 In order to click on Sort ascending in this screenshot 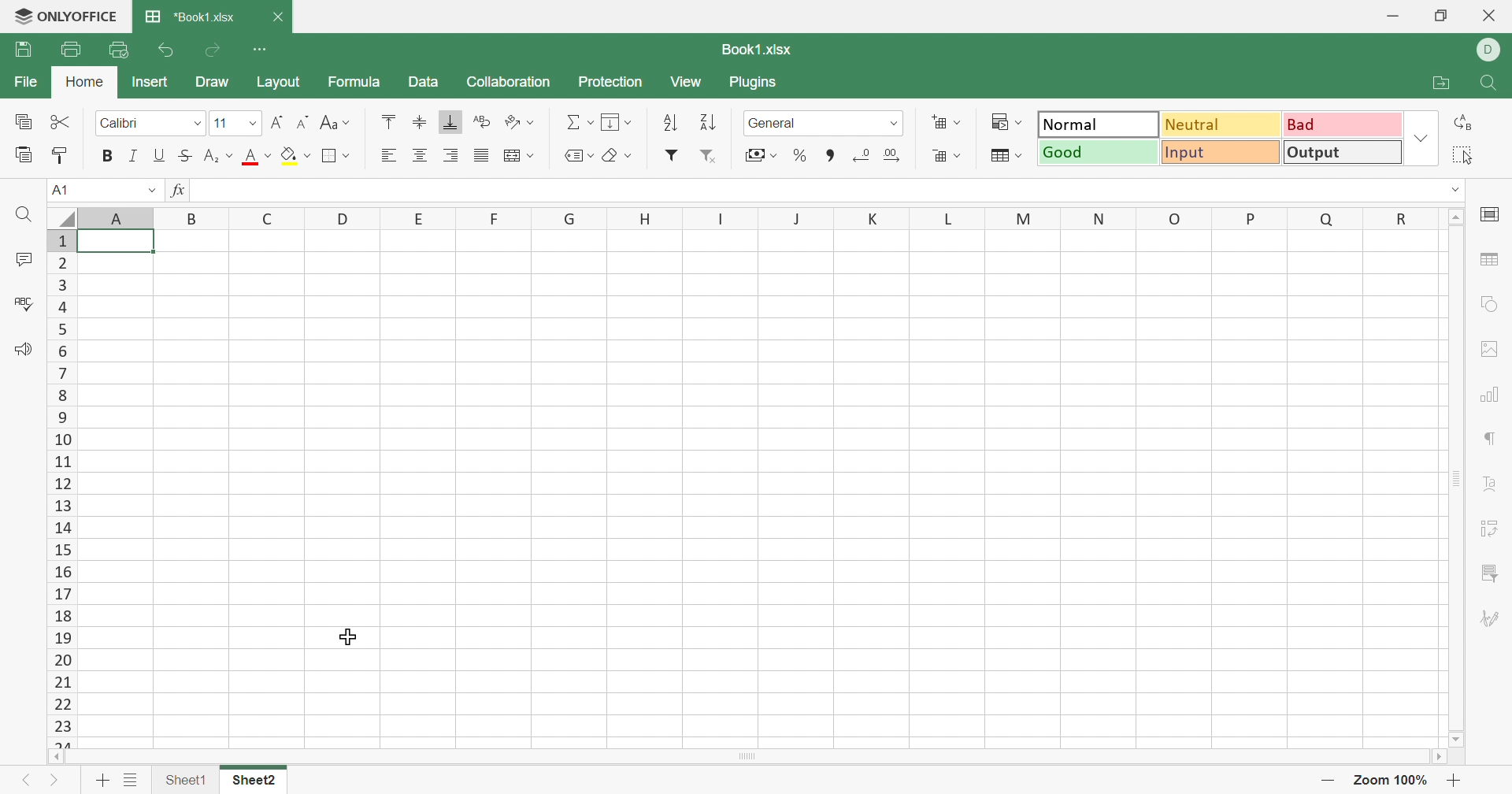, I will do `click(669, 124)`.